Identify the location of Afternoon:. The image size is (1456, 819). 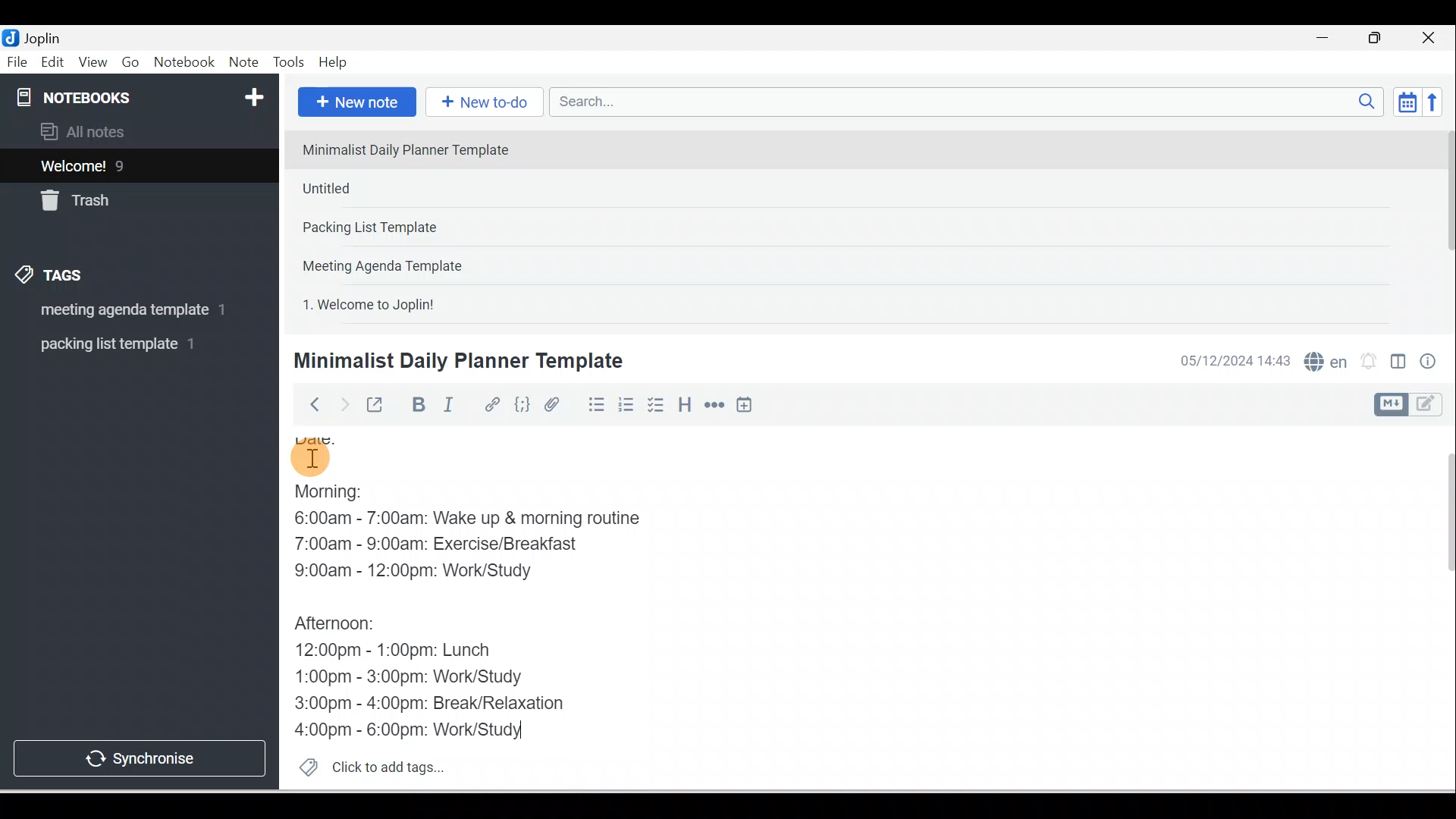
(344, 626).